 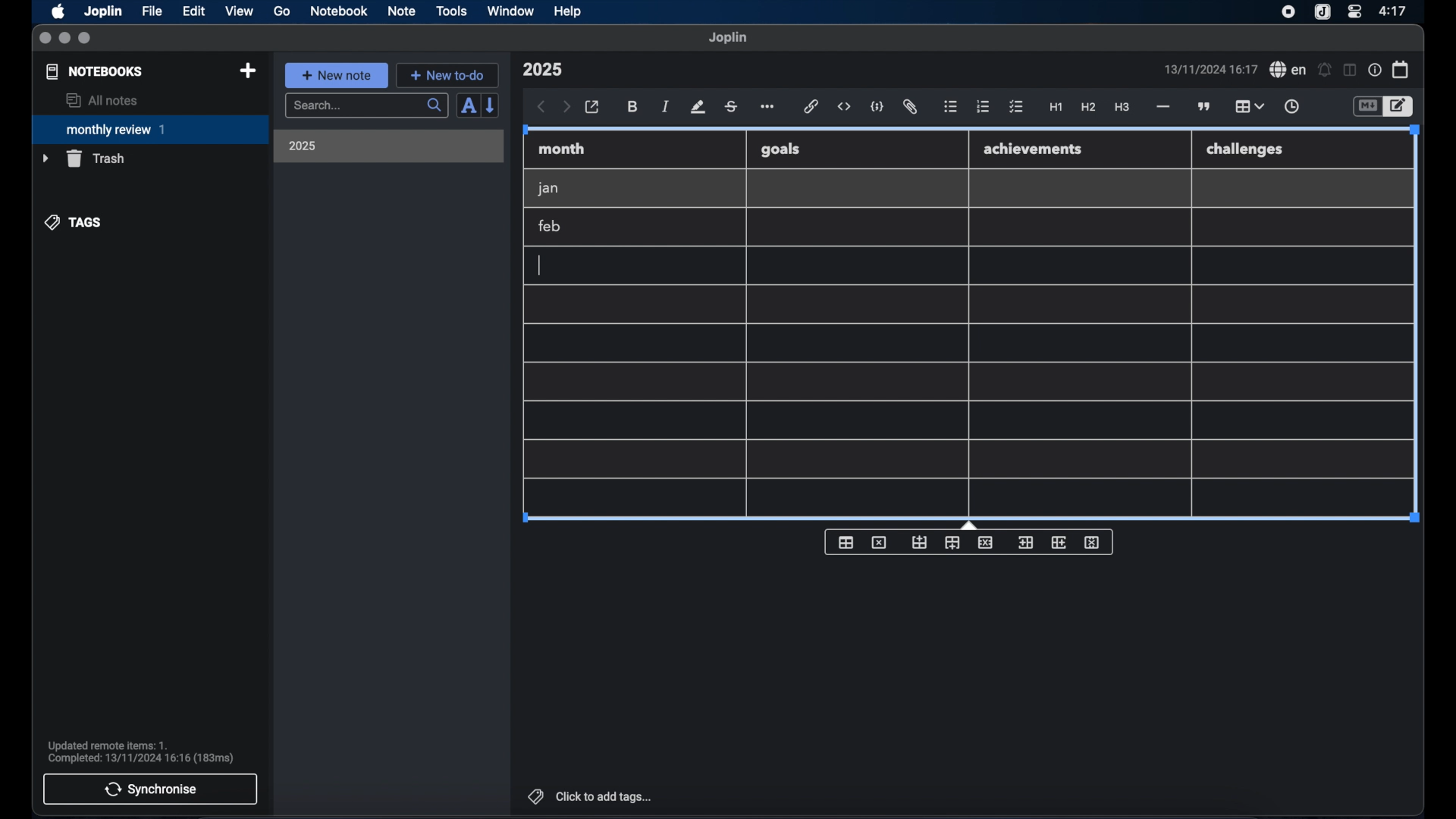 I want to click on achievements, so click(x=1034, y=149).